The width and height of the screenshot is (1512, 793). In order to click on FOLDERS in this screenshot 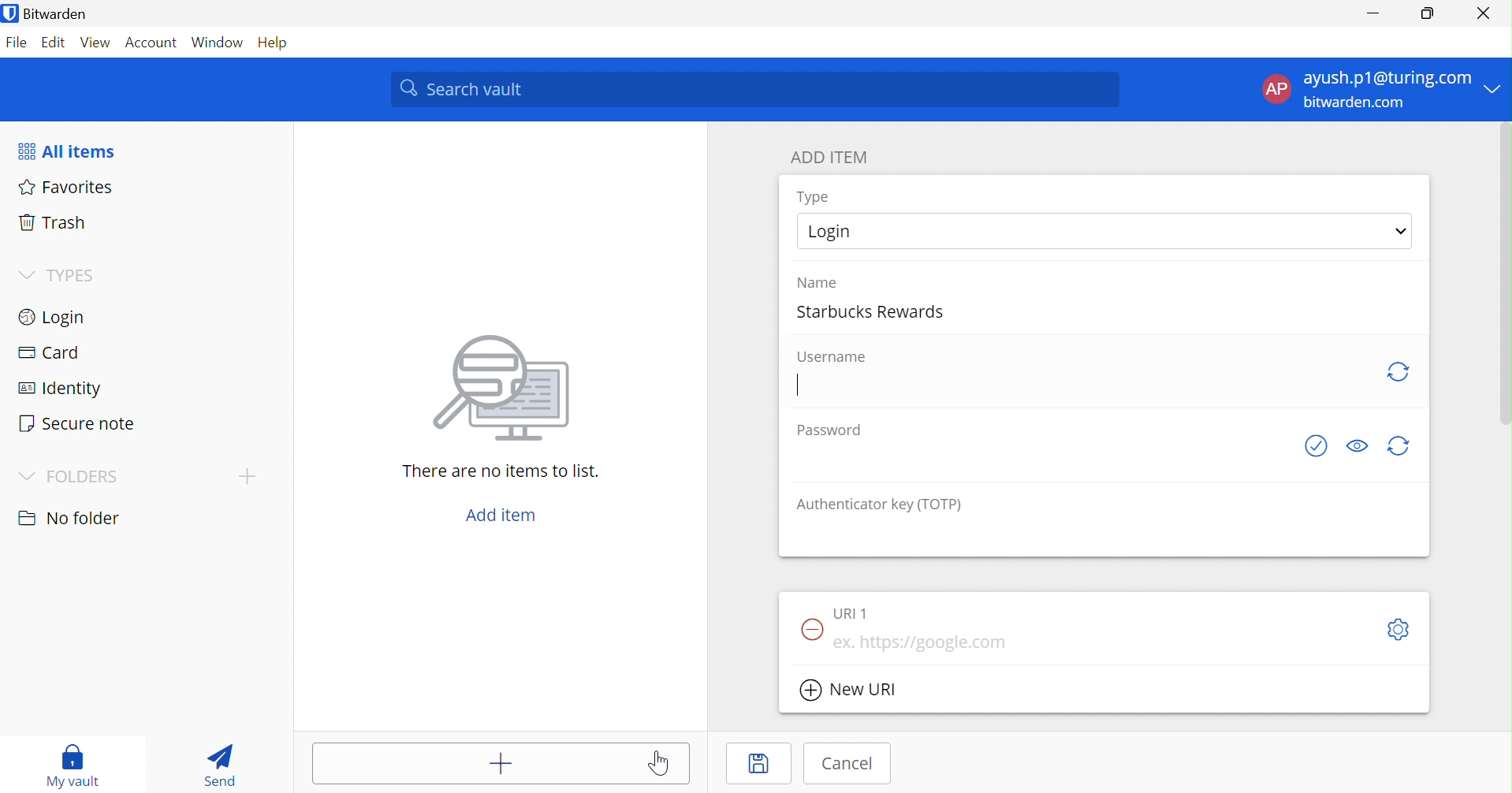, I will do `click(84, 478)`.